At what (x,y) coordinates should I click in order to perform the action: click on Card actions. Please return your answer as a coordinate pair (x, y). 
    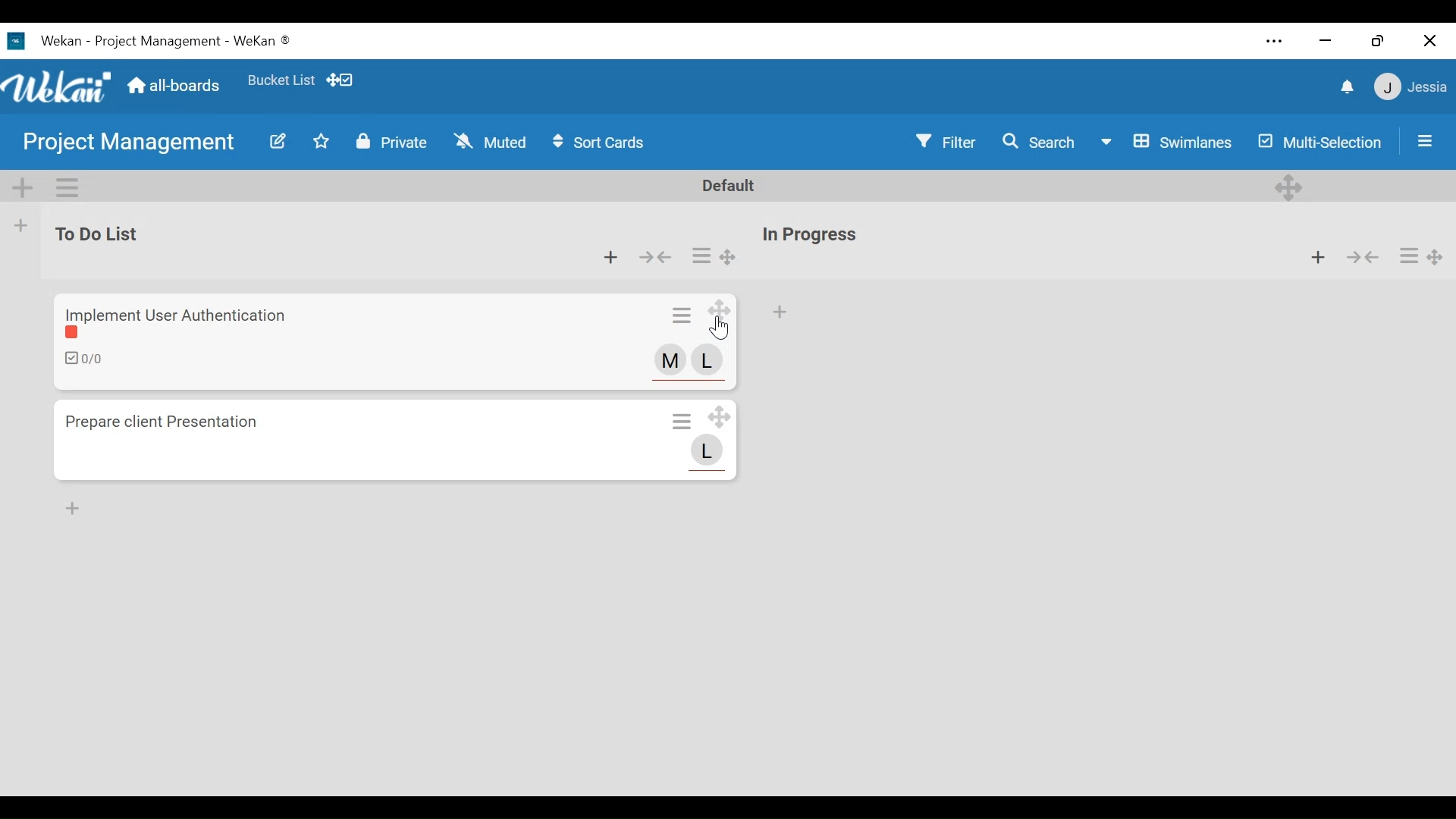
    Looking at the image, I should click on (1410, 255).